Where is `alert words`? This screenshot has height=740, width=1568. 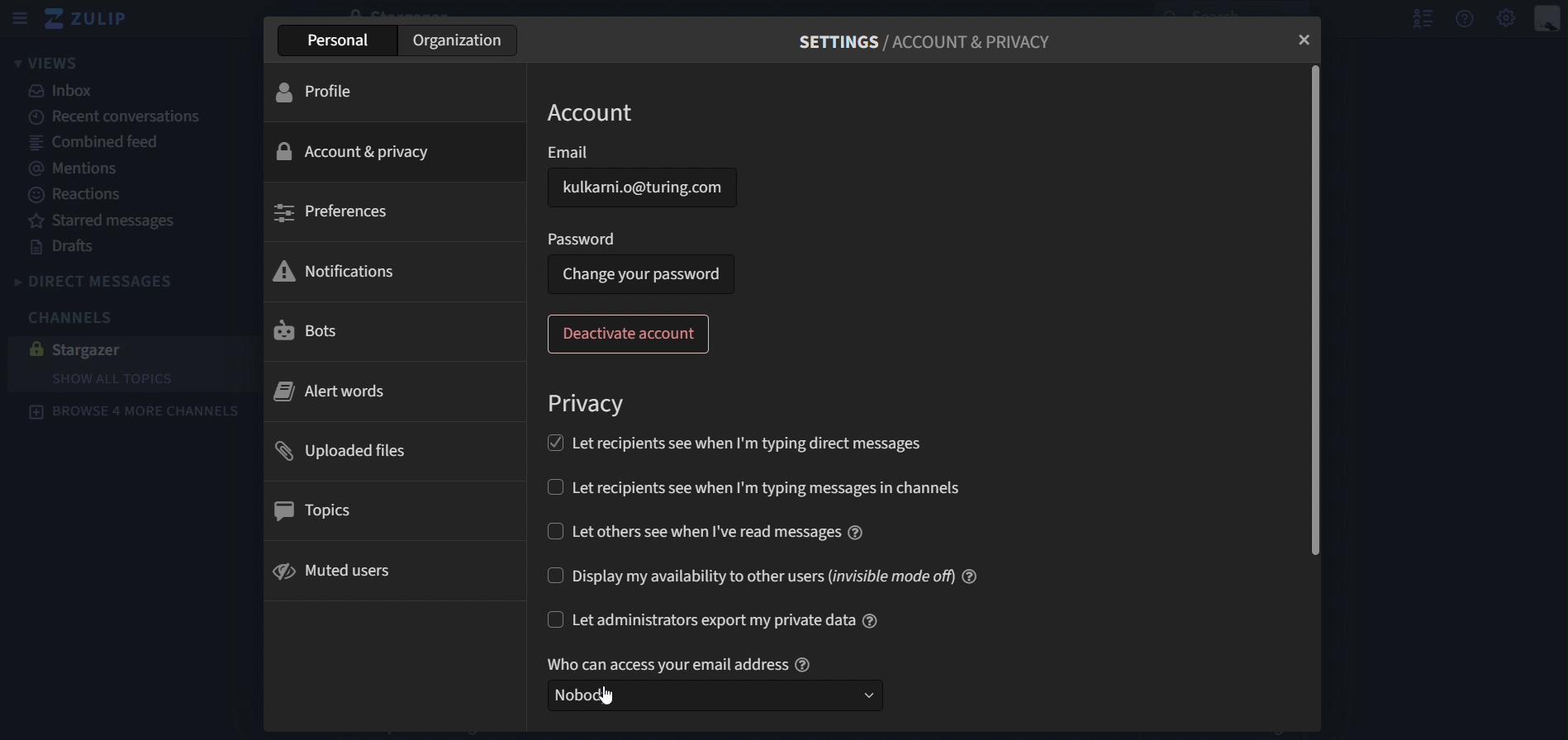
alert words is located at coordinates (328, 391).